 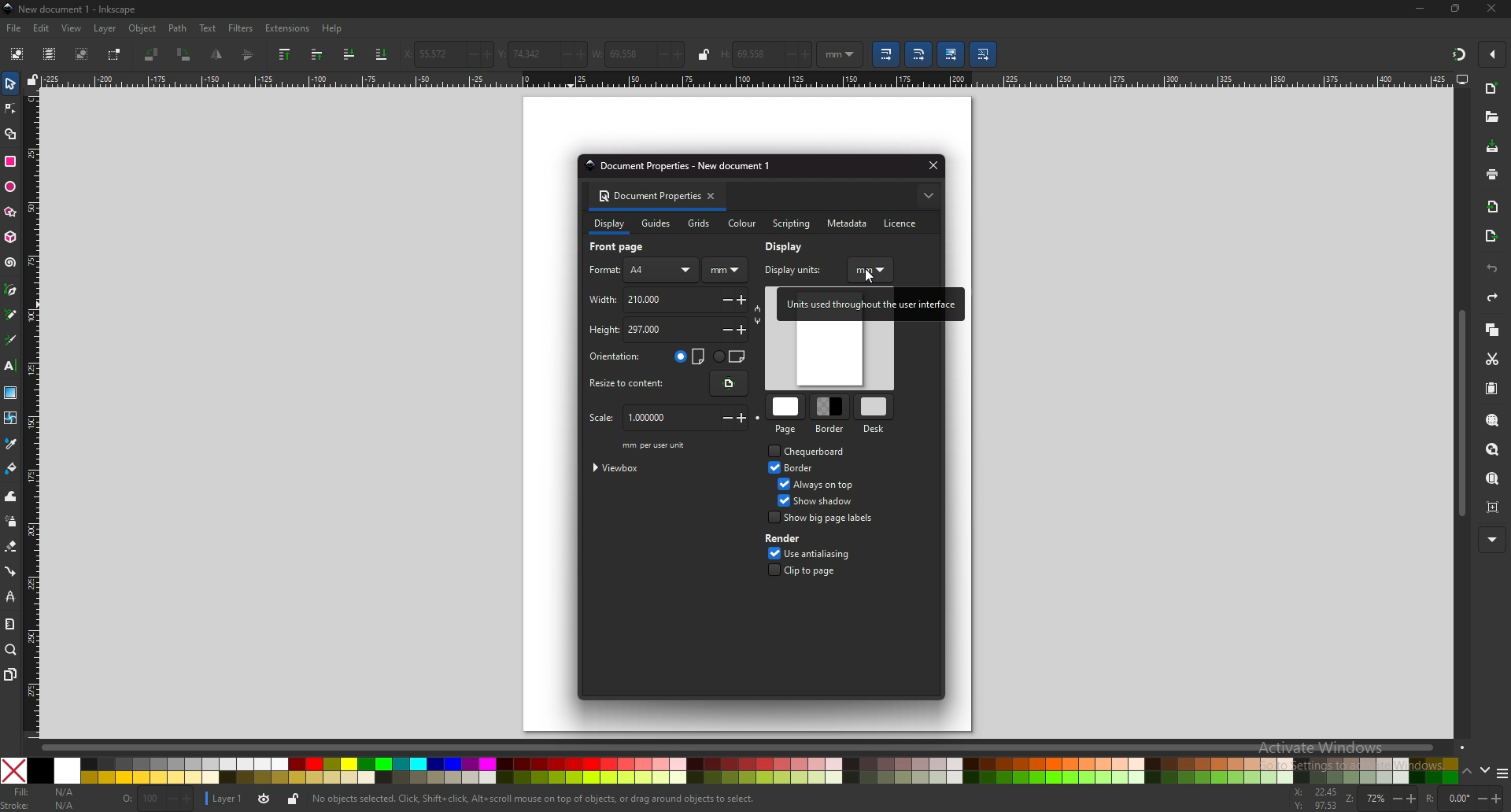 What do you see at coordinates (10, 391) in the screenshot?
I see `gradient` at bounding box center [10, 391].